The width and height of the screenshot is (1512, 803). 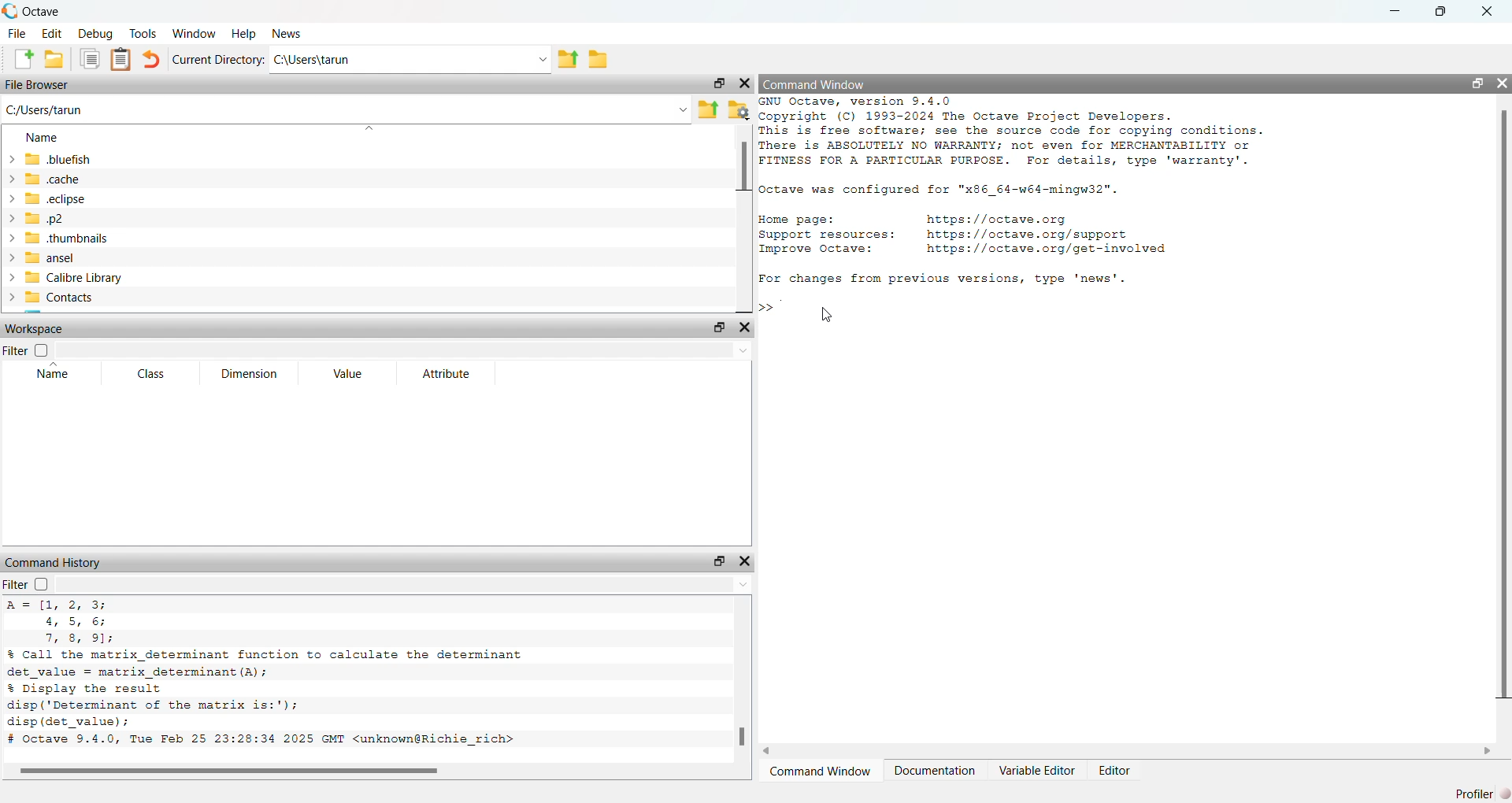 I want to click on command window, so click(x=816, y=86).